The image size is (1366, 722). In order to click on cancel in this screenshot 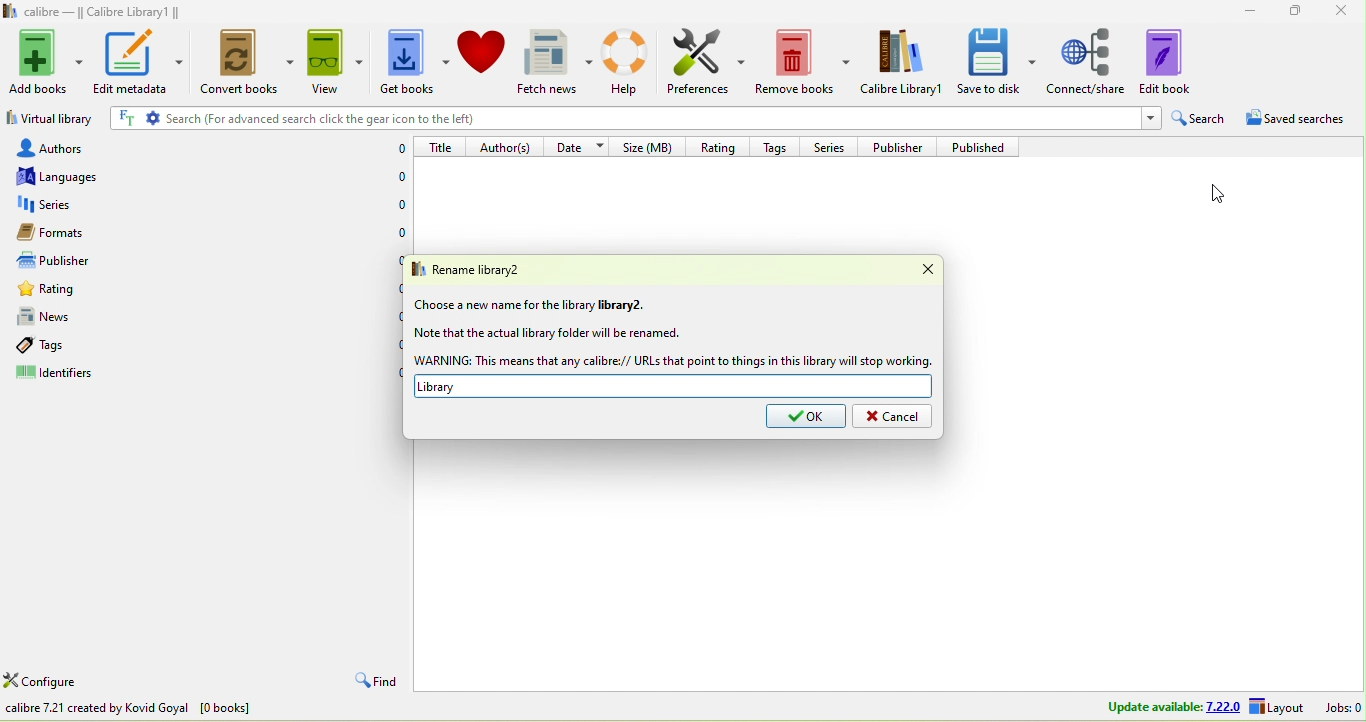, I will do `click(892, 417)`.